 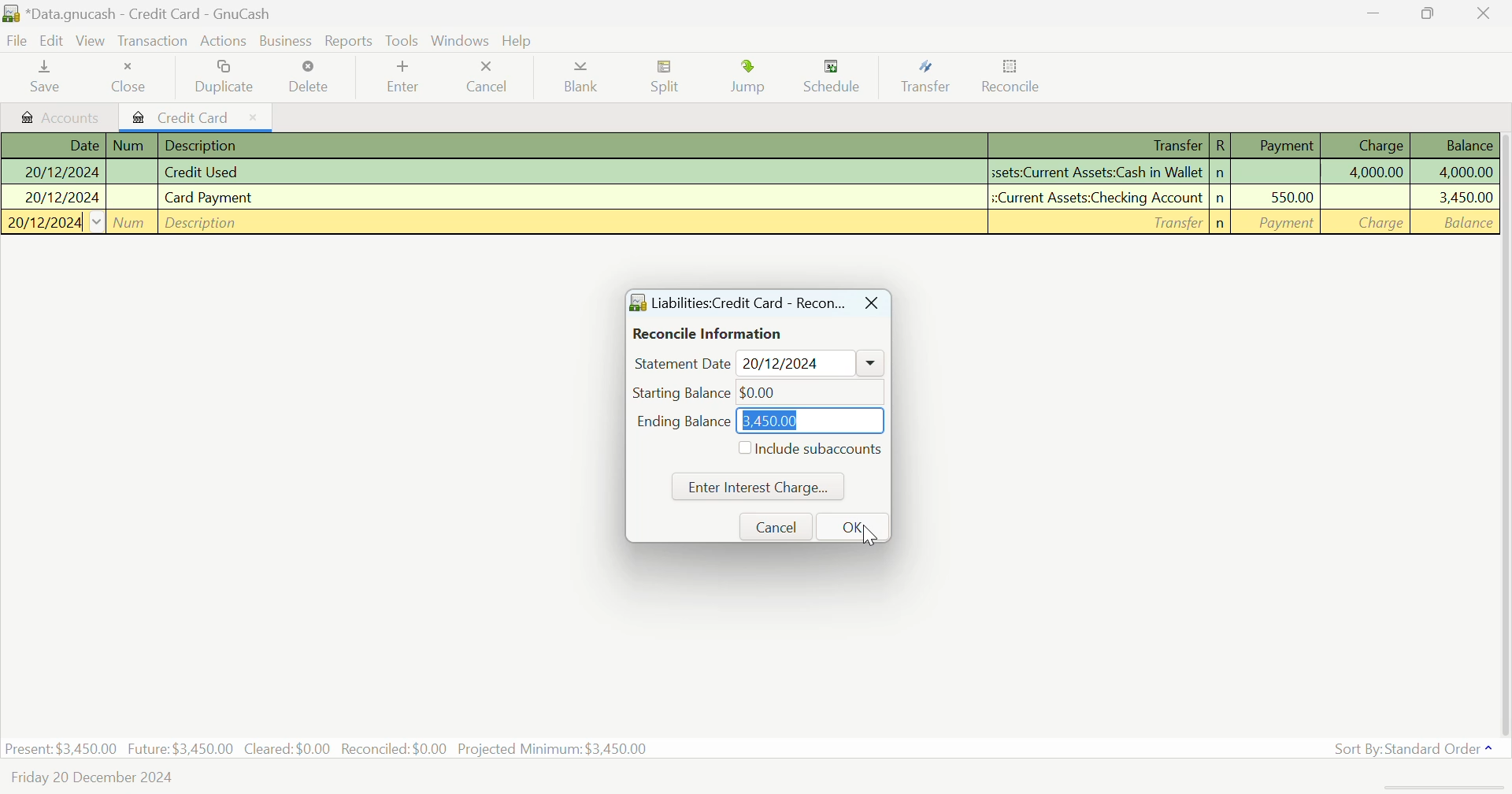 I want to click on Schedule, so click(x=832, y=81).